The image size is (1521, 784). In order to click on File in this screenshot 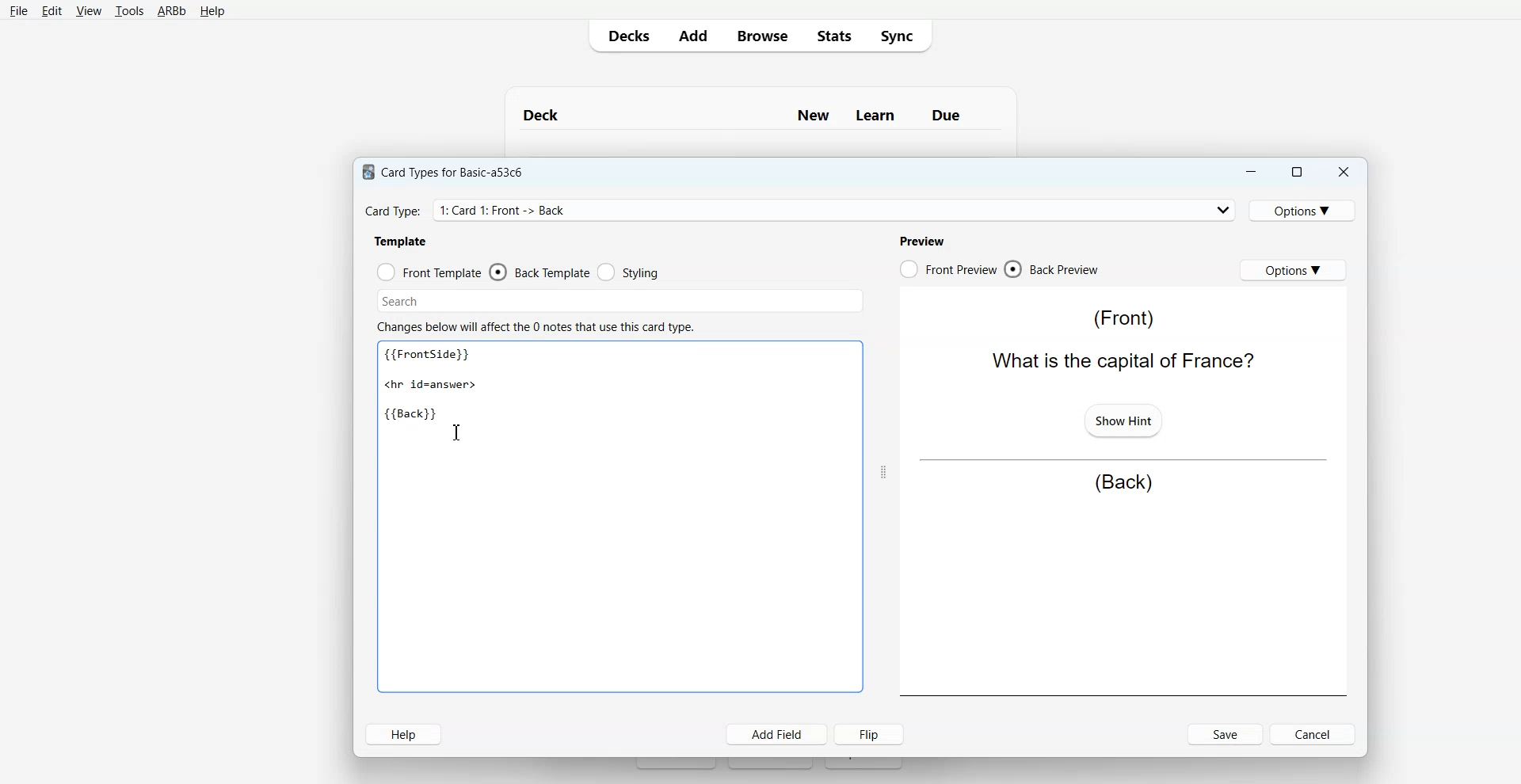, I will do `click(18, 10)`.